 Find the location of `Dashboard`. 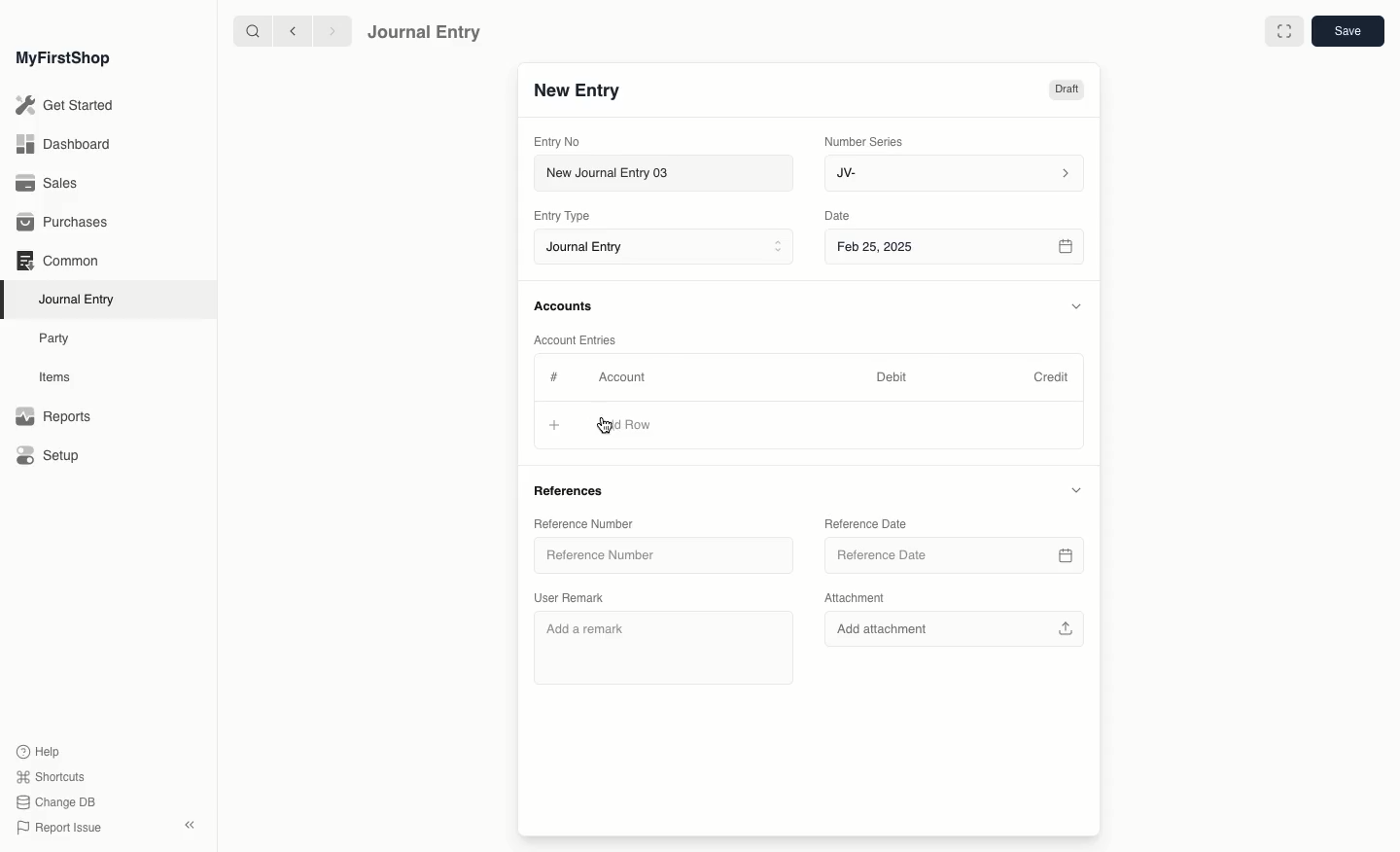

Dashboard is located at coordinates (62, 143).